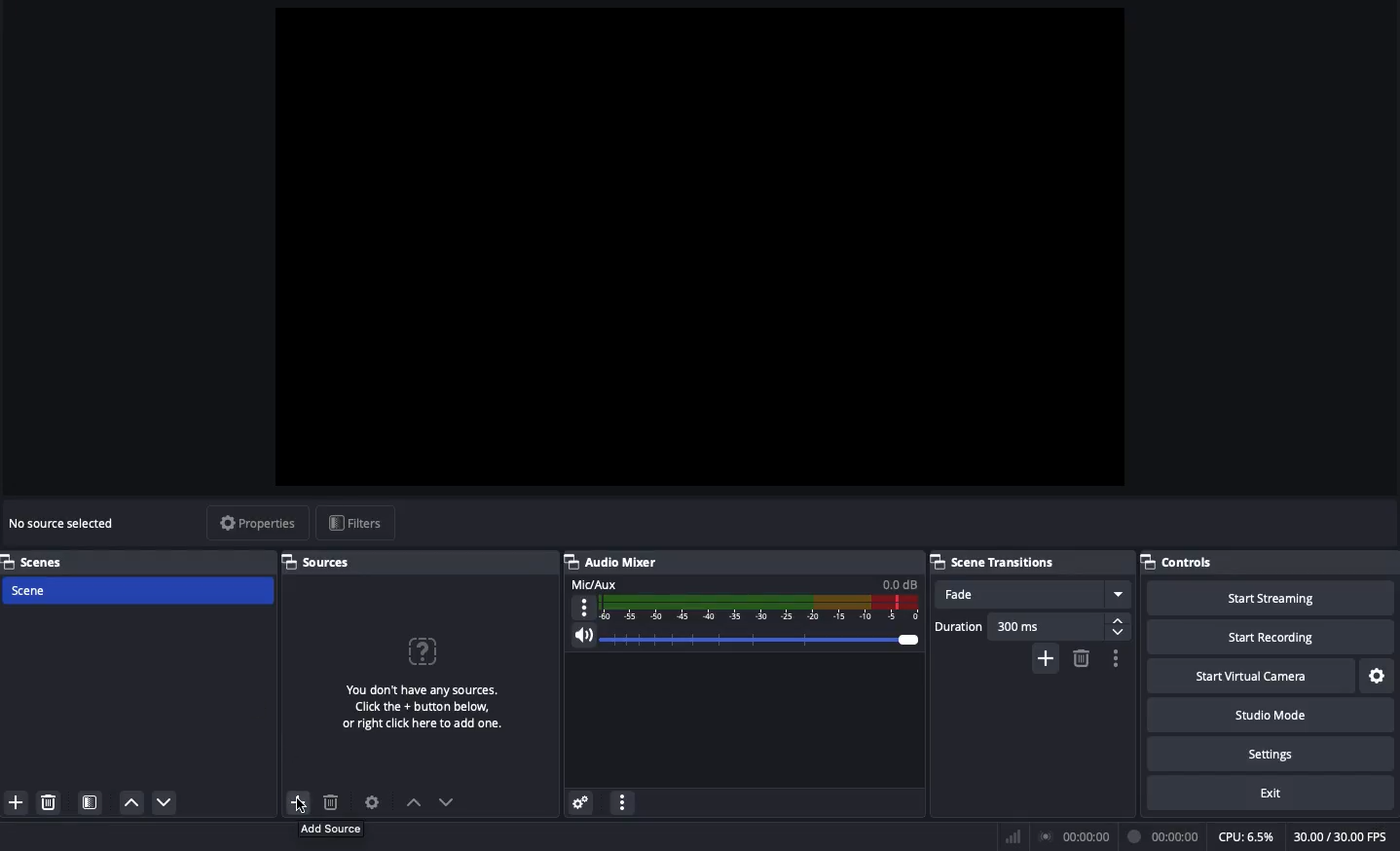 This screenshot has width=1400, height=851. Describe the element at coordinates (582, 802) in the screenshot. I see `Settings` at that location.